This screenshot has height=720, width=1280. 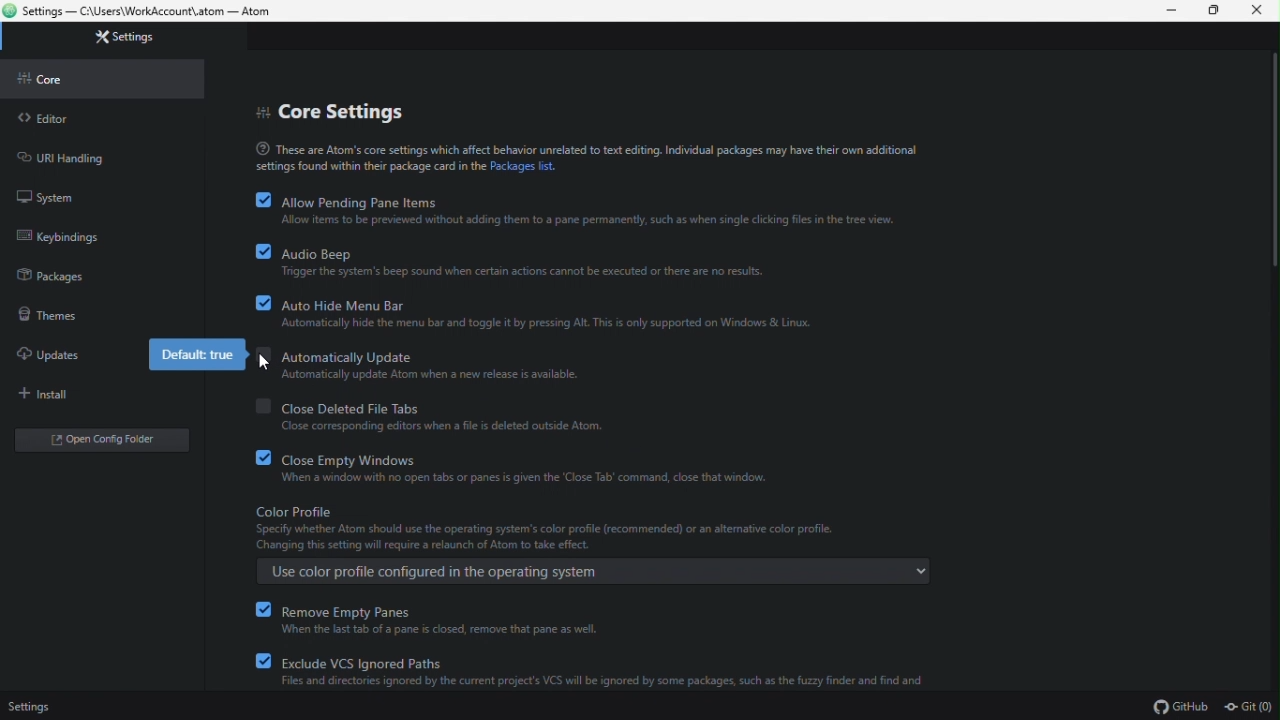 I want to click on editor, so click(x=48, y=118).